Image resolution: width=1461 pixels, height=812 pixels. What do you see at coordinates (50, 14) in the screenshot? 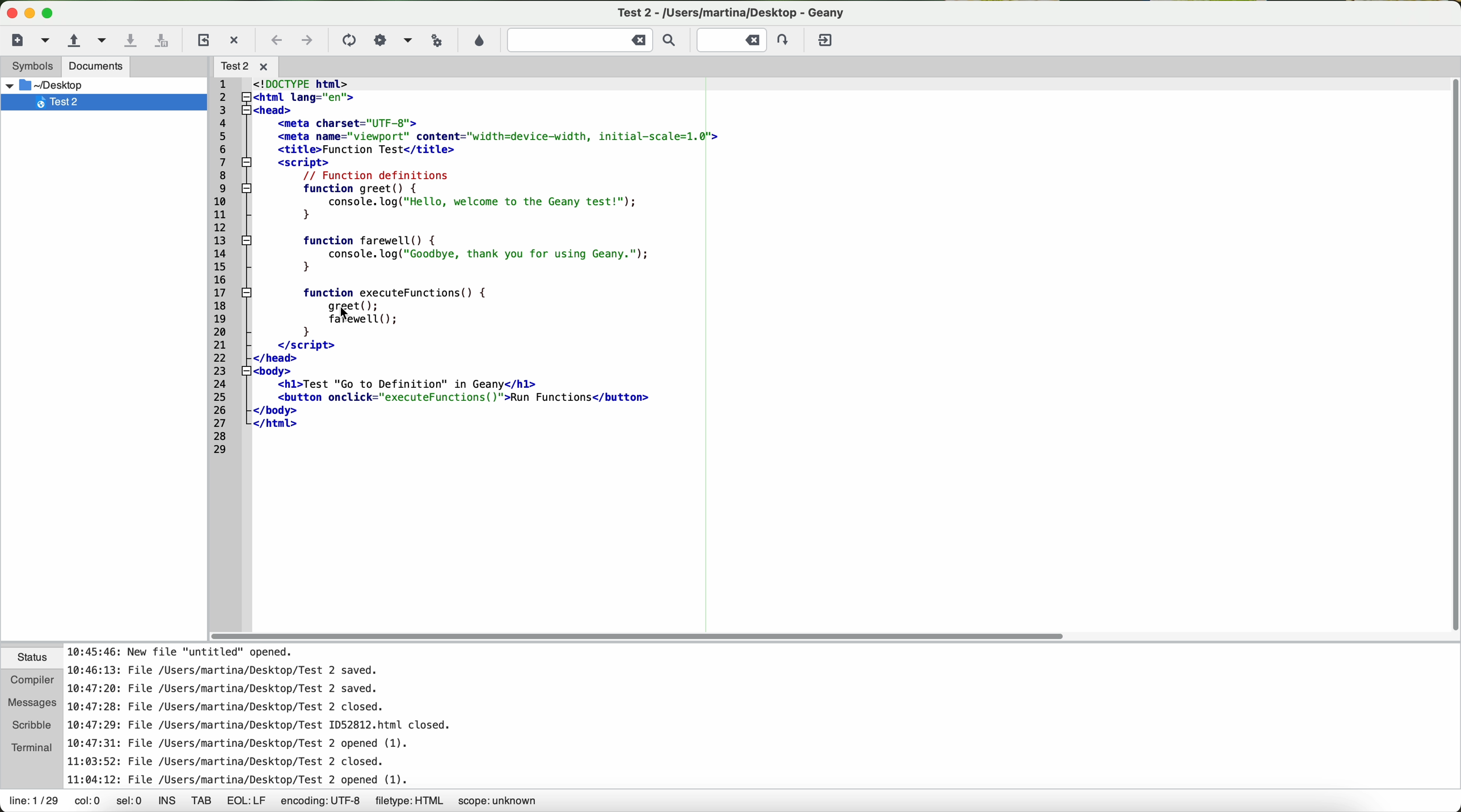
I see `maximize` at bounding box center [50, 14].